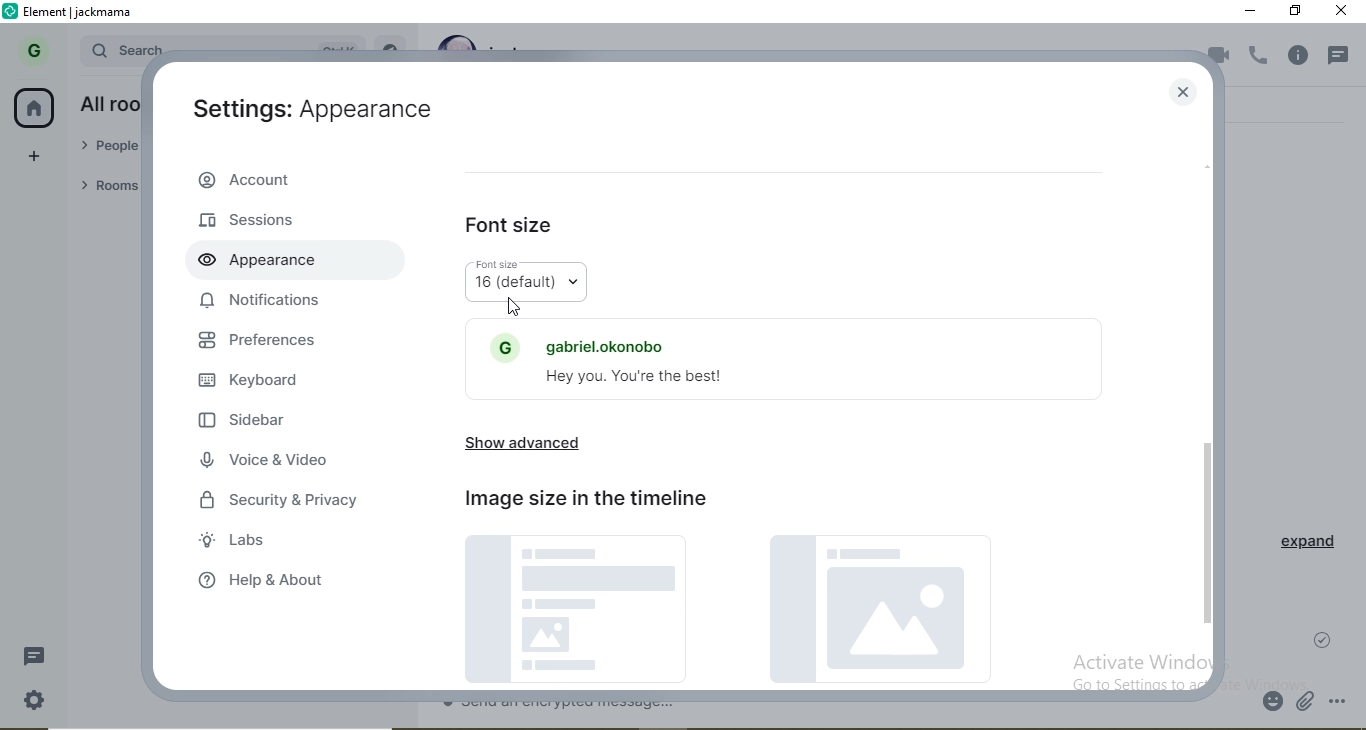 The height and width of the screenshot is (730, 1366). I want to click on G, so click(30, 52).